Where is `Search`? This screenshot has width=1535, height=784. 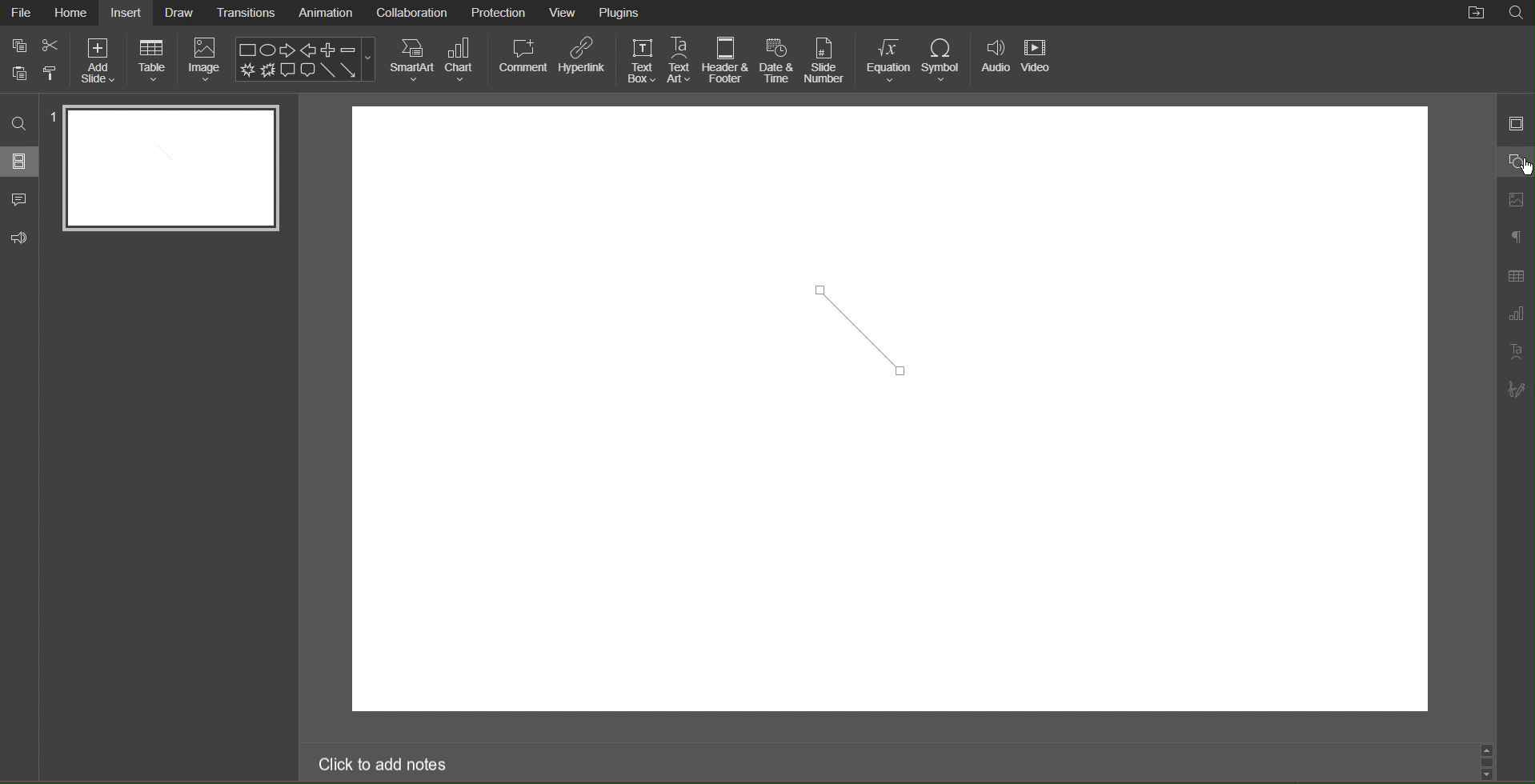
Search is located at coordinates (1516, 14).